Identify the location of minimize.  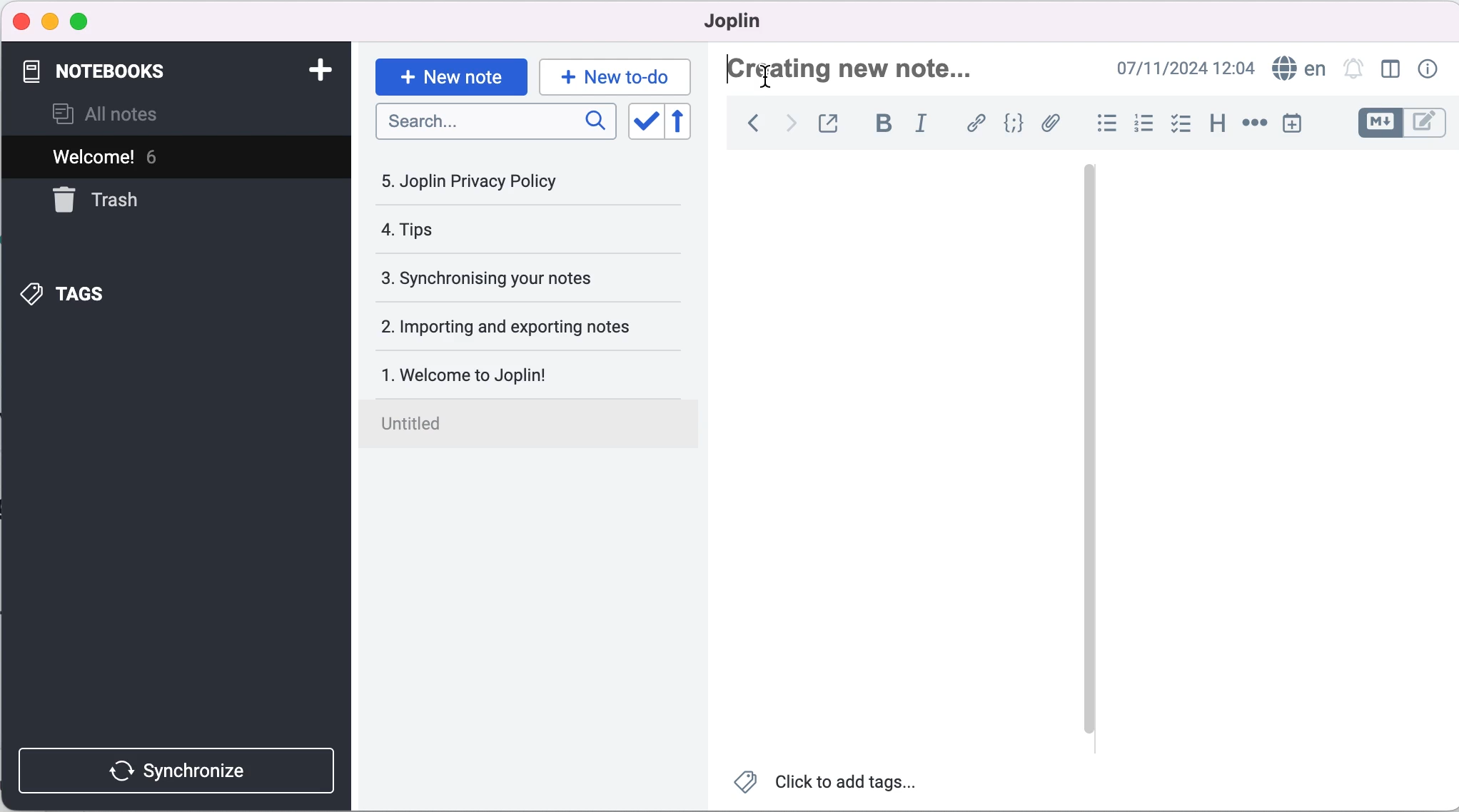
(50, 21).